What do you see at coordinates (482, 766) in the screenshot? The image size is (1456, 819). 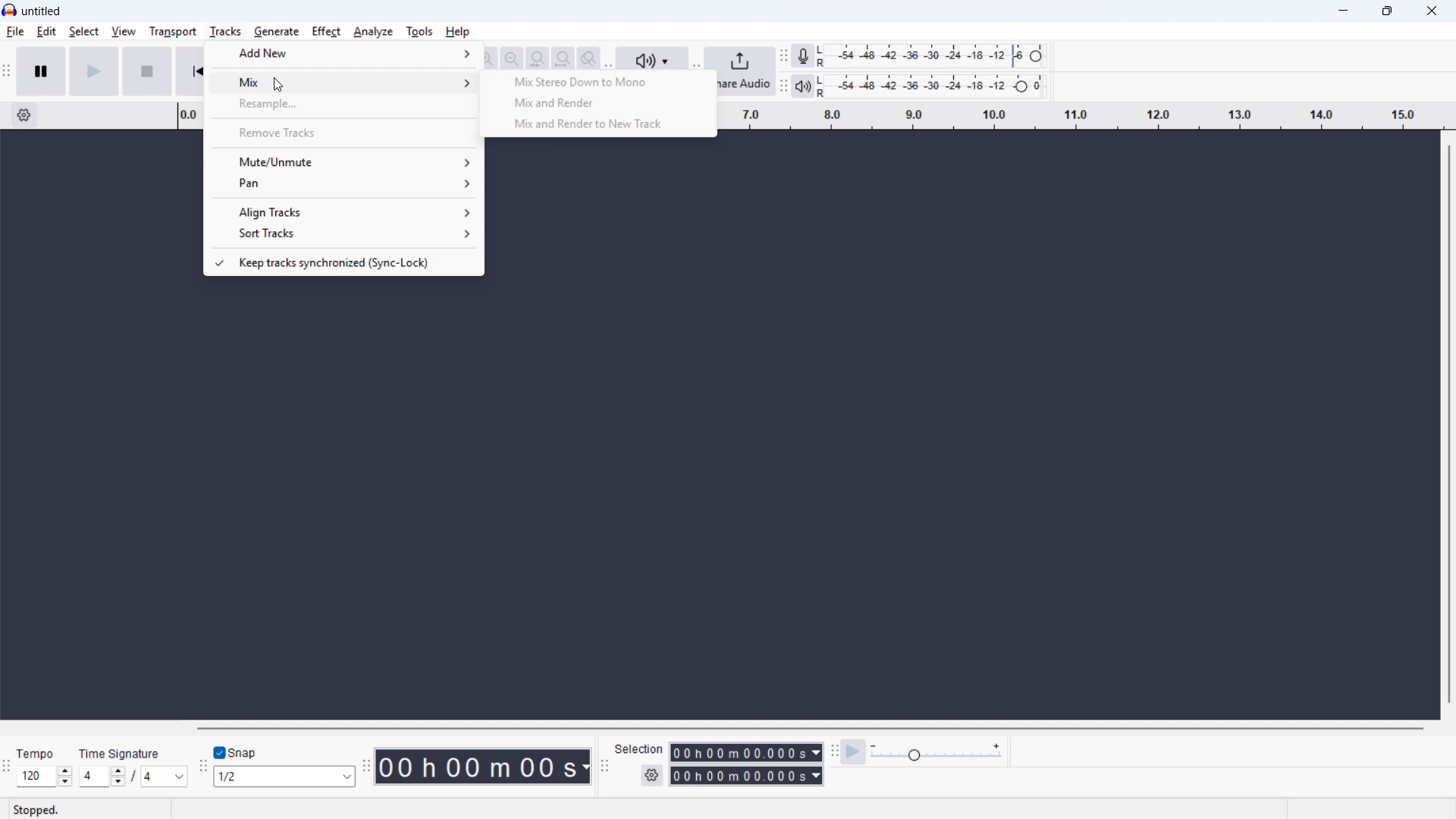 I see `Timestamp ` at bounding box center [482, 766].